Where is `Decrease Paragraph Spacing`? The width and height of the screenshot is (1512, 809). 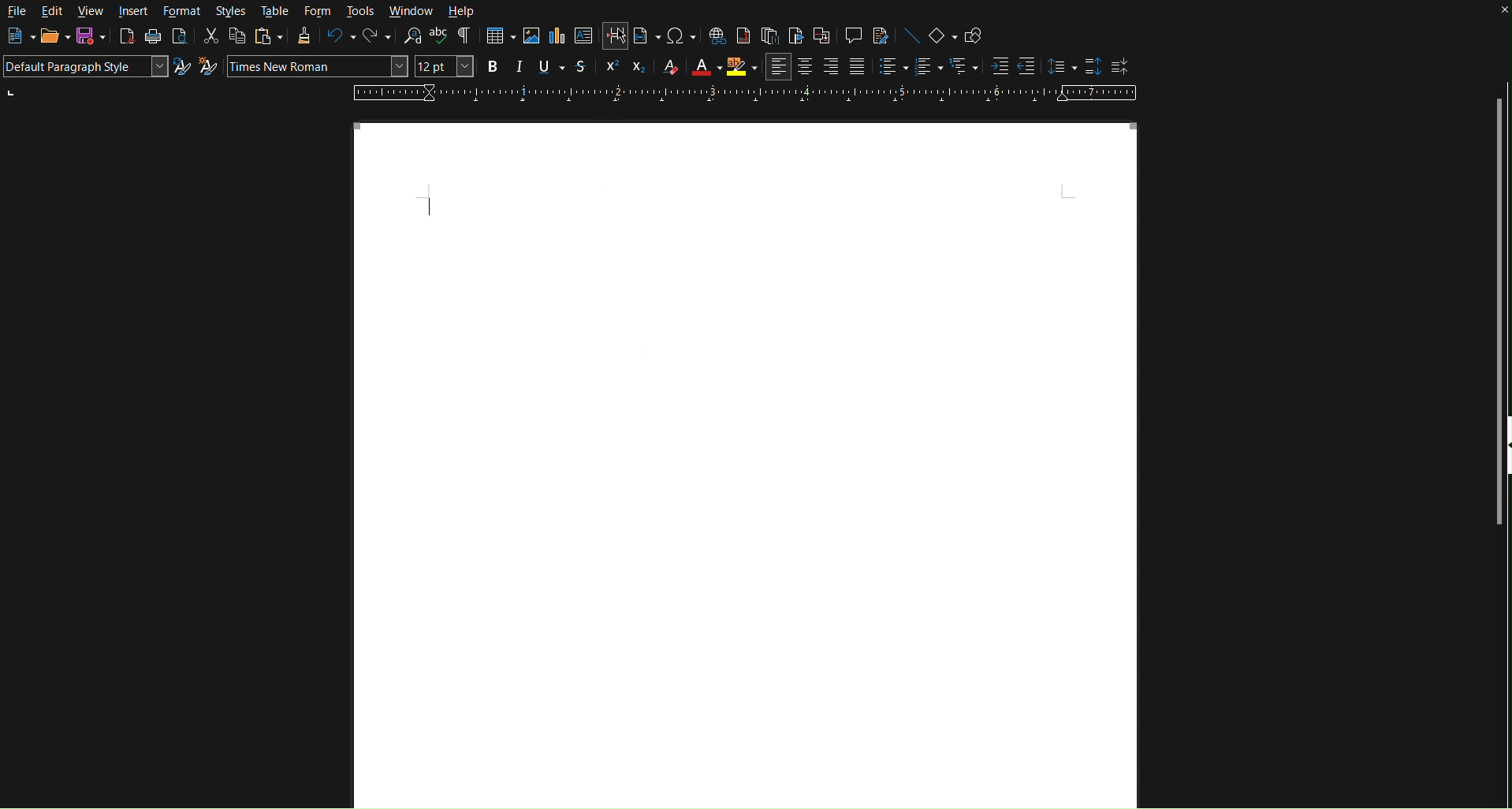 Decrease Paragraph Spacing is located at coordinates (1120, 65).